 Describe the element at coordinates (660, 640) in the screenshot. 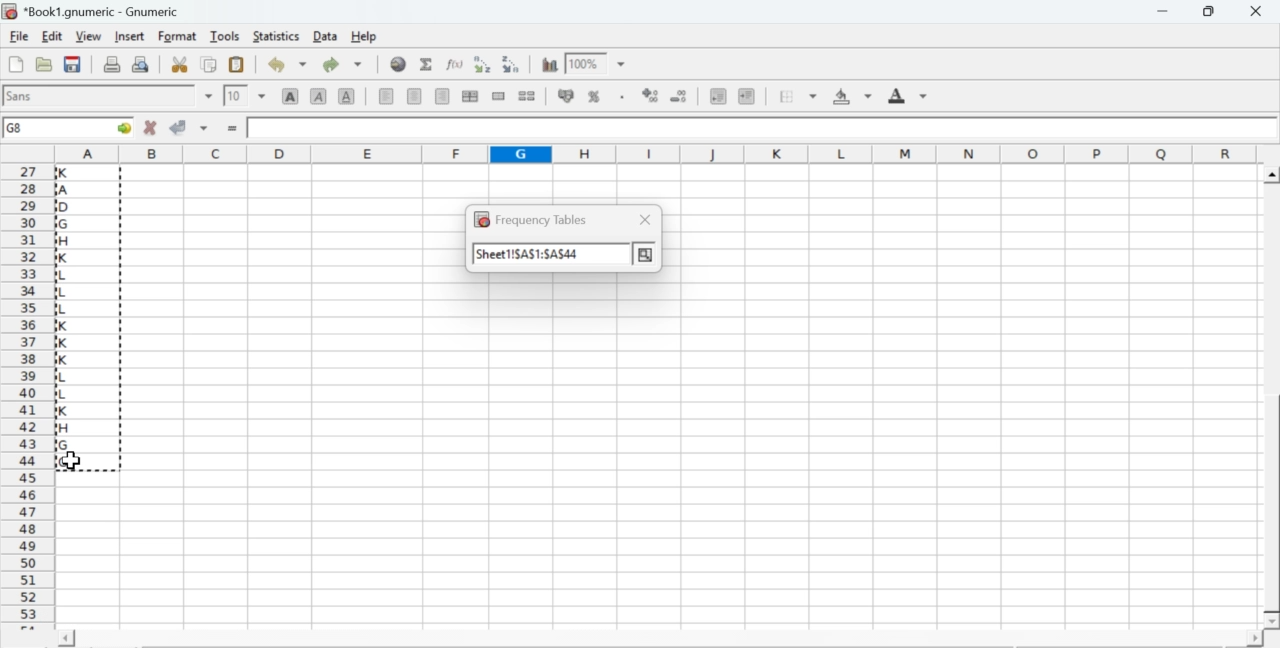

I see `scroll bar` at that location.